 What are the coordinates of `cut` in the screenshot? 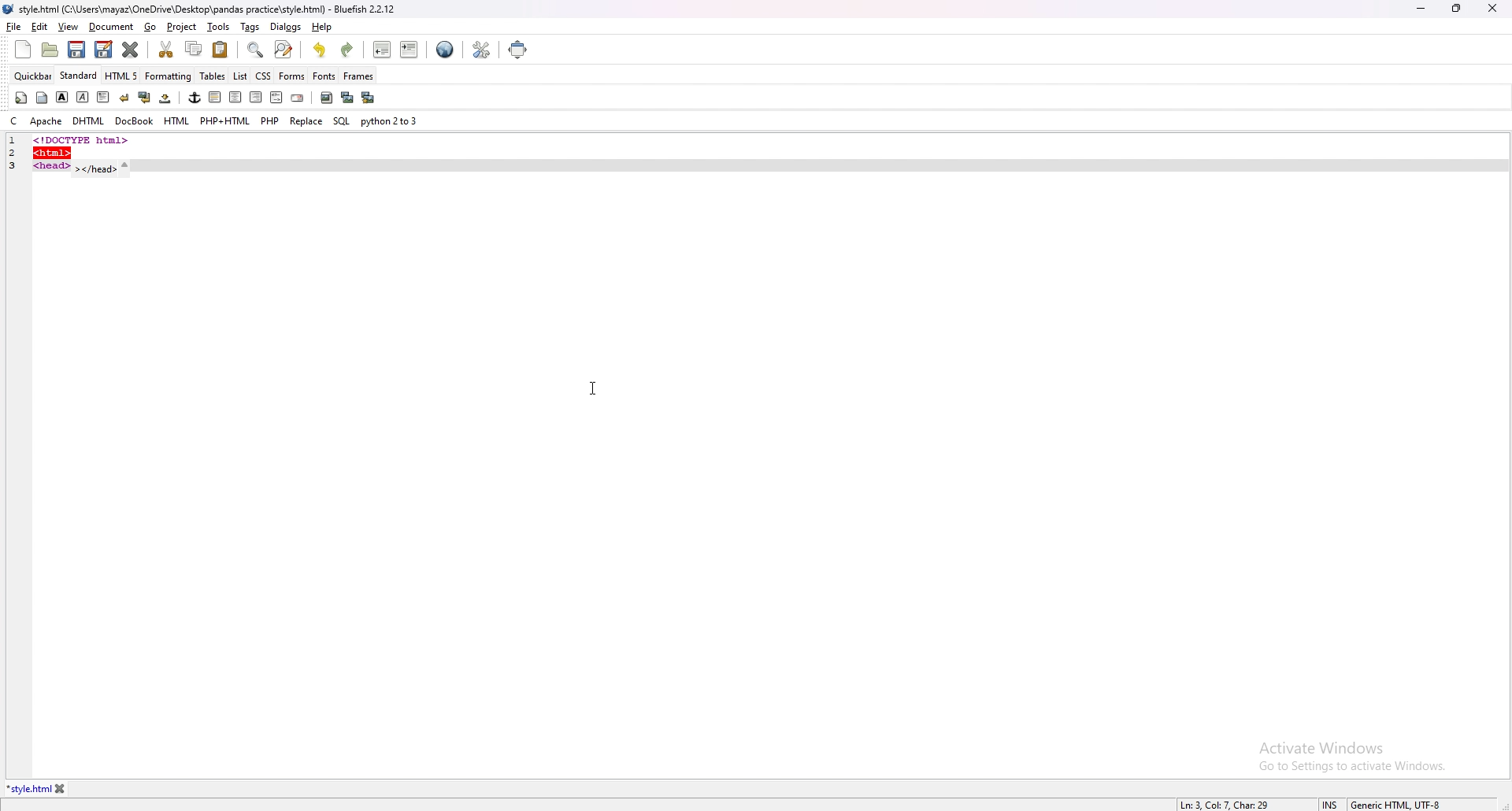 It's located at (168, 49).